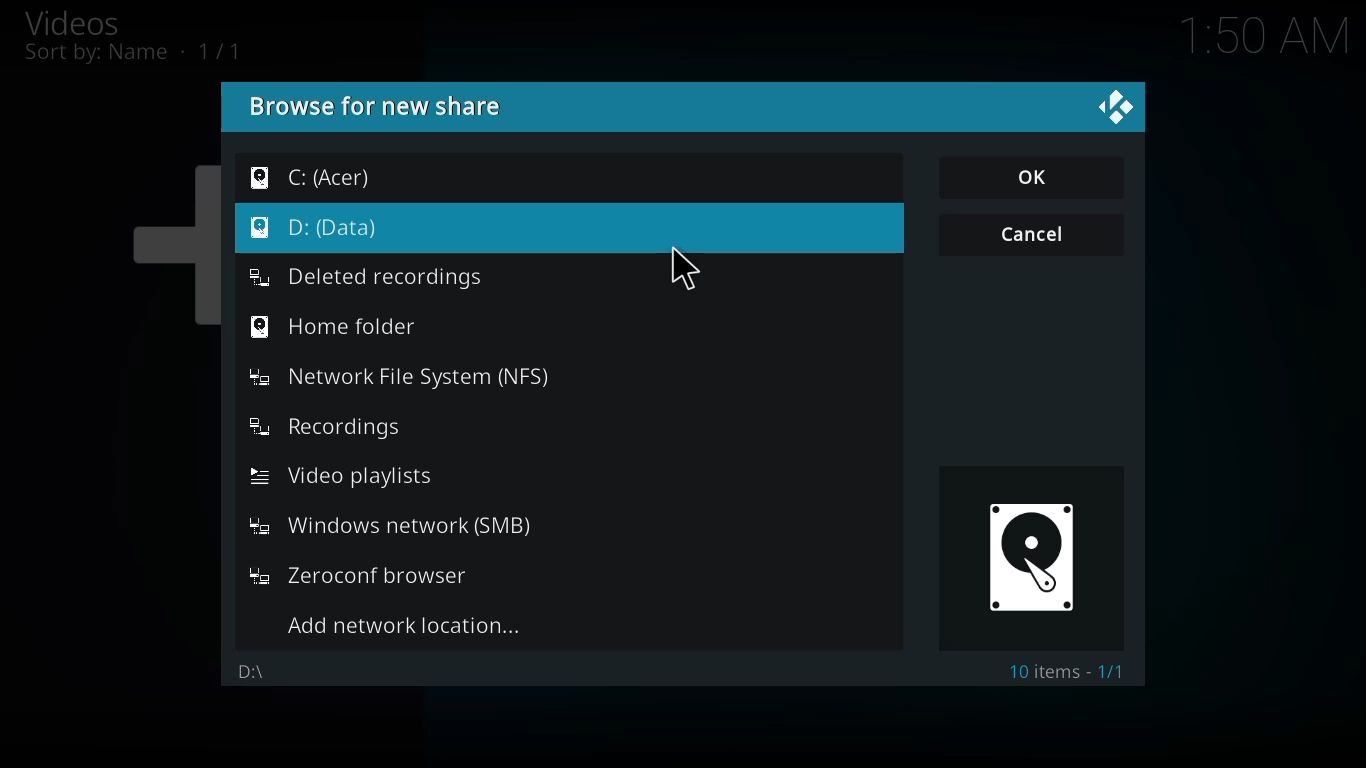 The image size is (1366, 768). I want to click on close, so click(1114, 108).